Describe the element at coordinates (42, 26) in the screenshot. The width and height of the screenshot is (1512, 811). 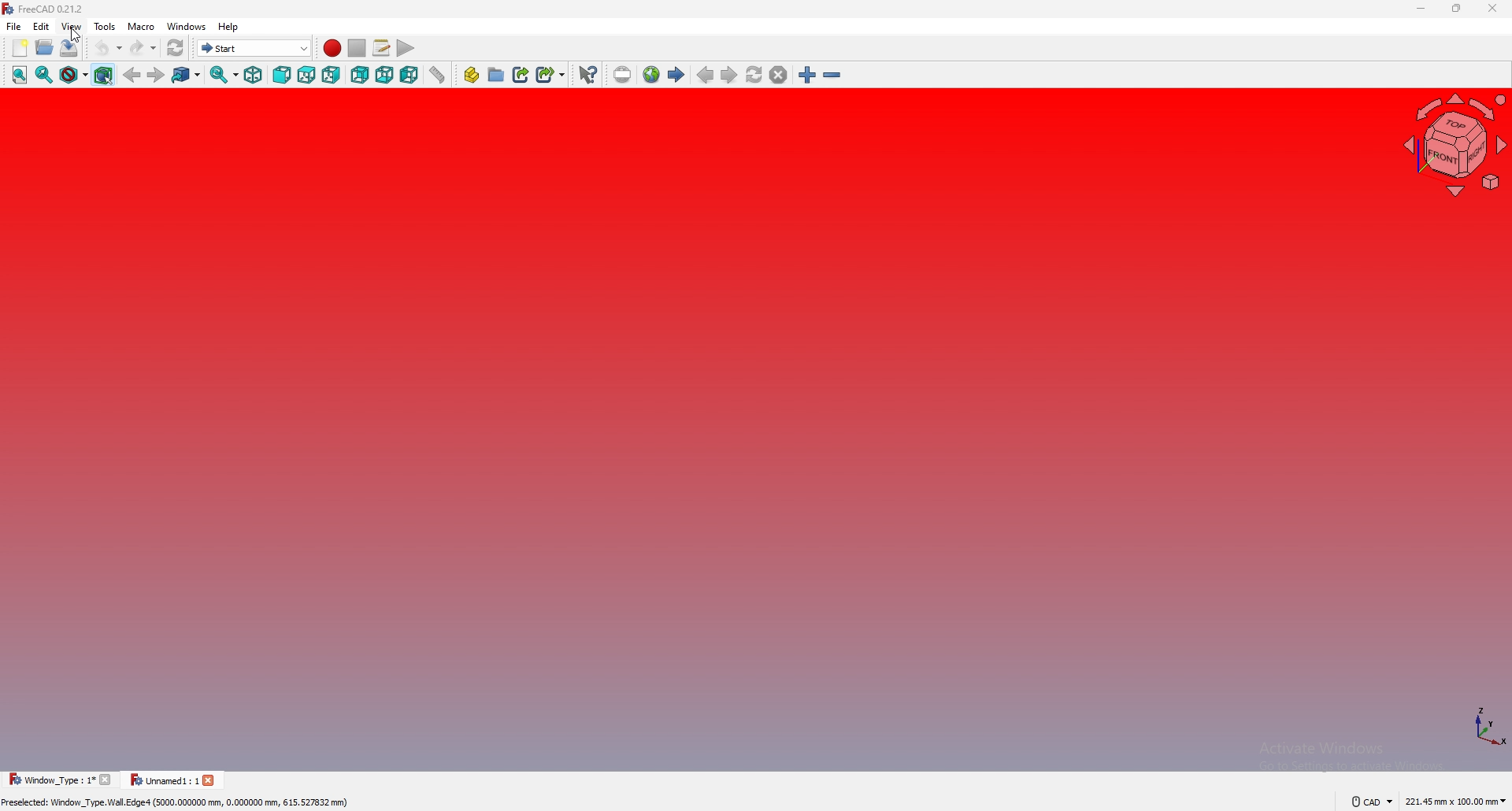
I see `edit` at that location.